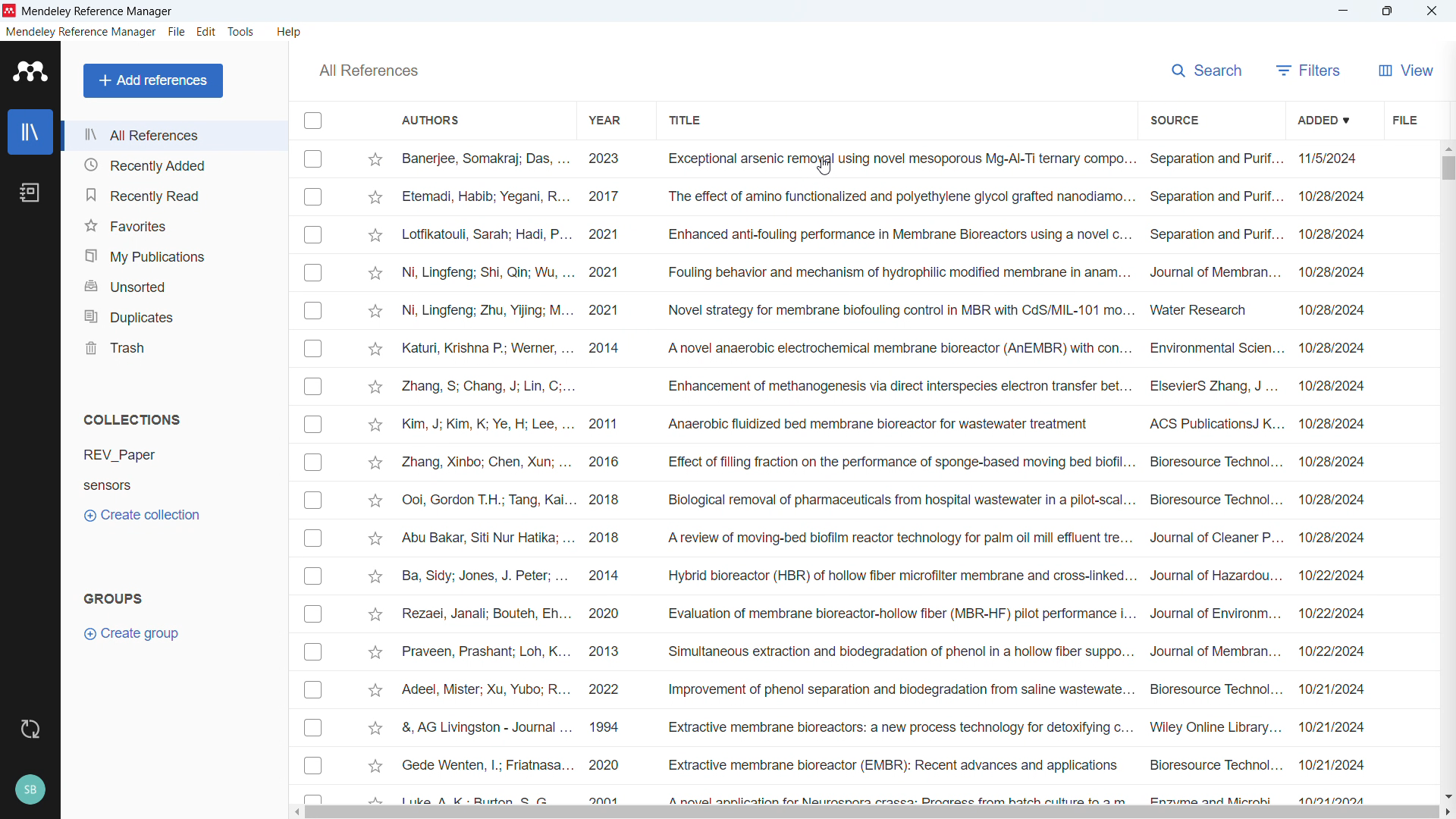 This screenshot has width=1456, height=819. I want to click on recently read, so click(172, 196).